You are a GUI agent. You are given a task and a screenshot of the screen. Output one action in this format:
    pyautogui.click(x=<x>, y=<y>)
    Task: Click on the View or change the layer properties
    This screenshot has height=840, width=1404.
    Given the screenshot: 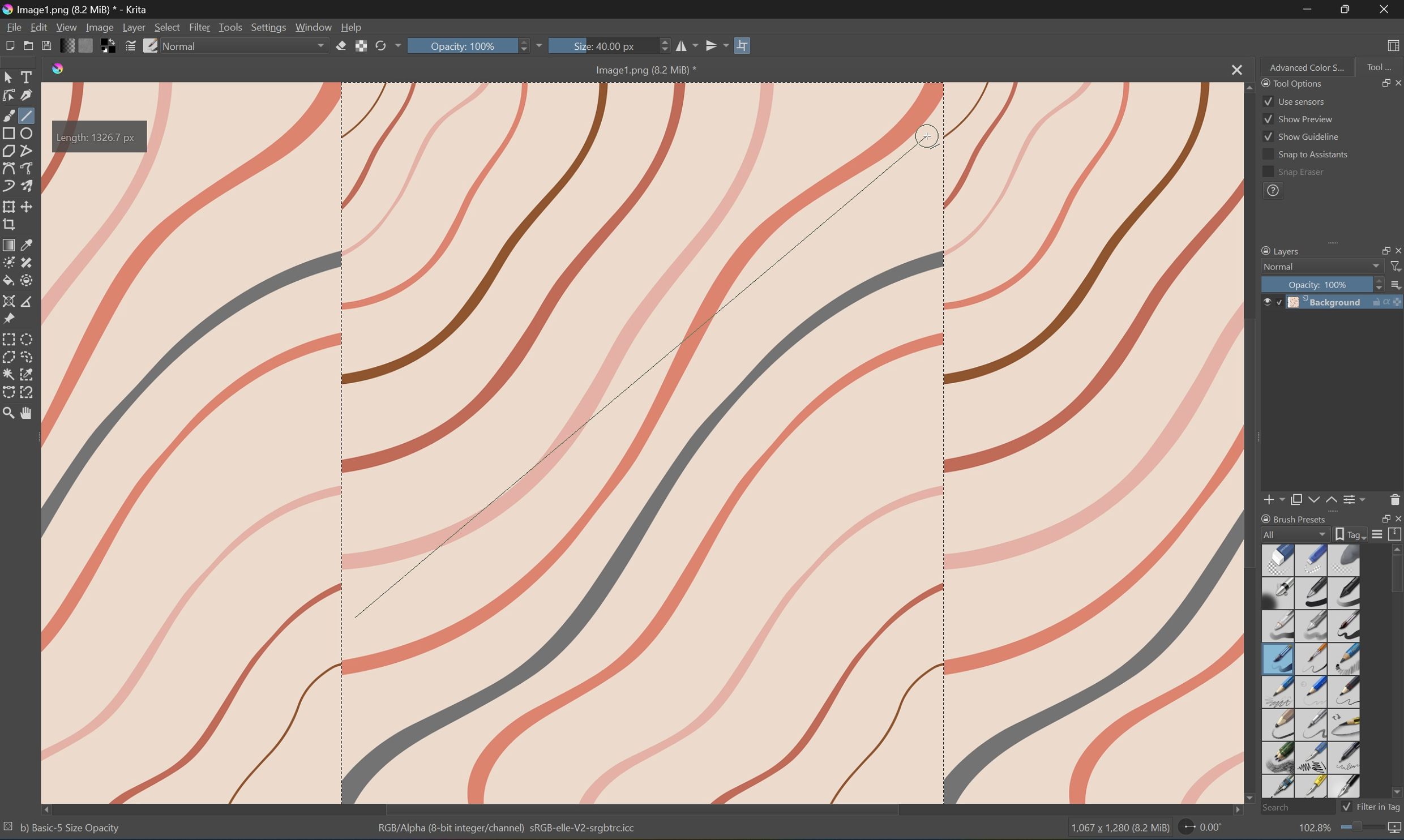 What is the action you would take?
    pyautogui.click(x=1356, y=498)
    